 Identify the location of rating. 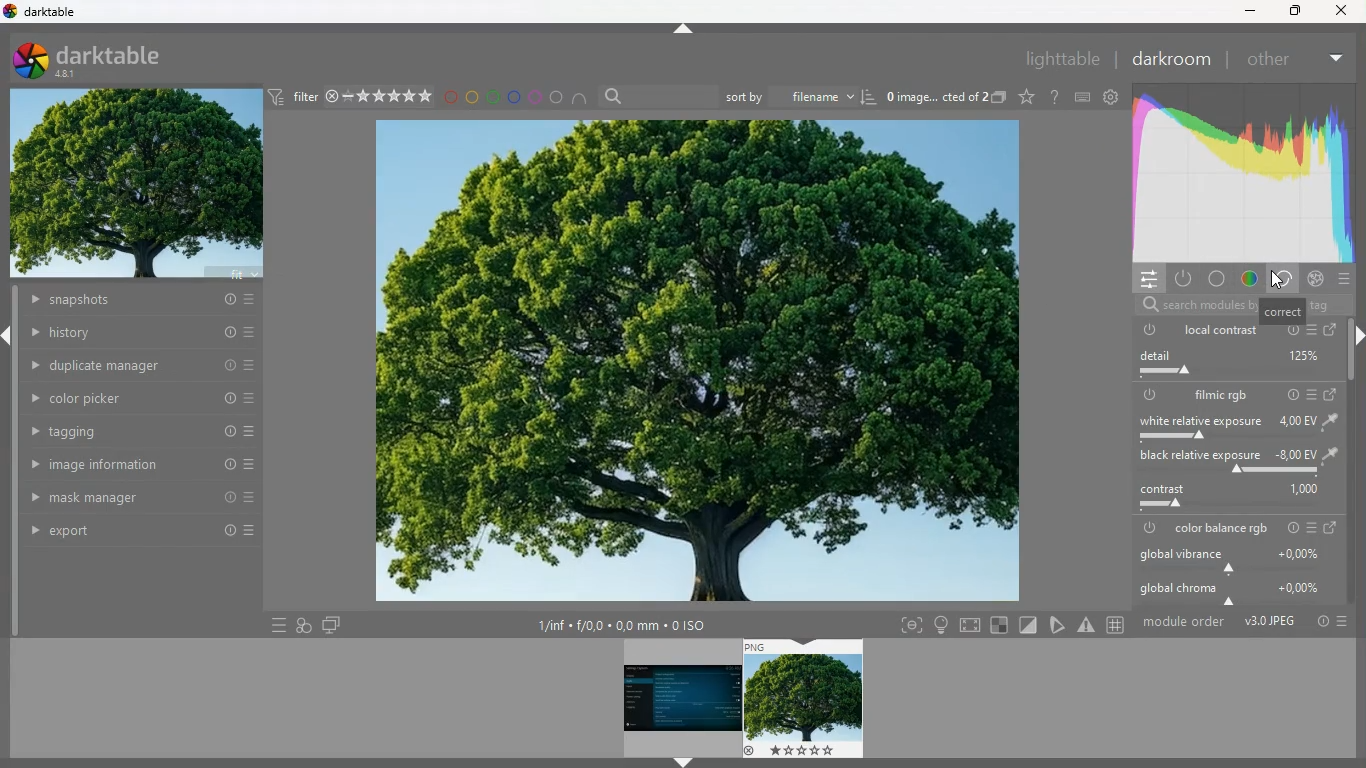
(381, 97).